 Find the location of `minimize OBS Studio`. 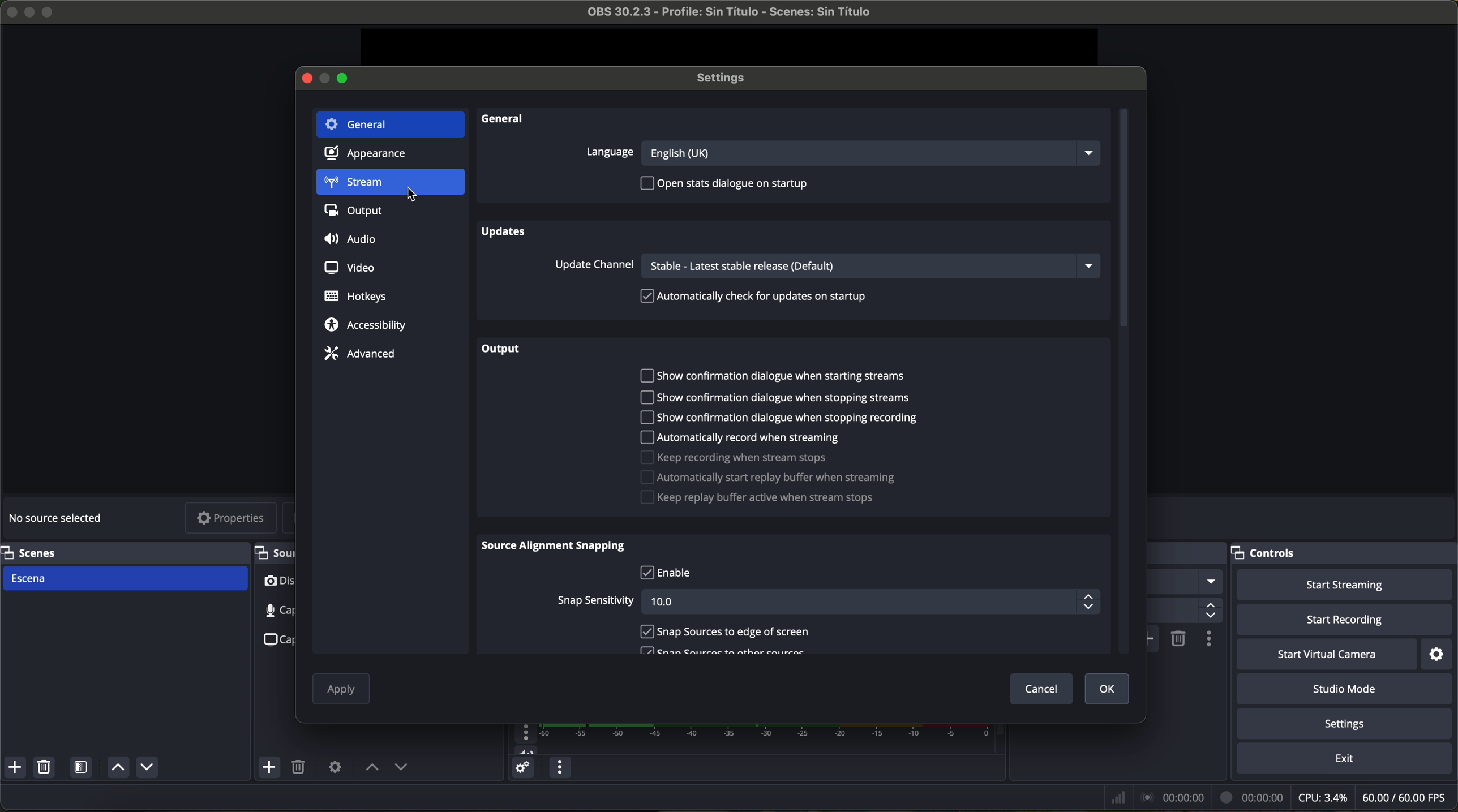

minimize OBS Studio is located at coordinates (32, 11).